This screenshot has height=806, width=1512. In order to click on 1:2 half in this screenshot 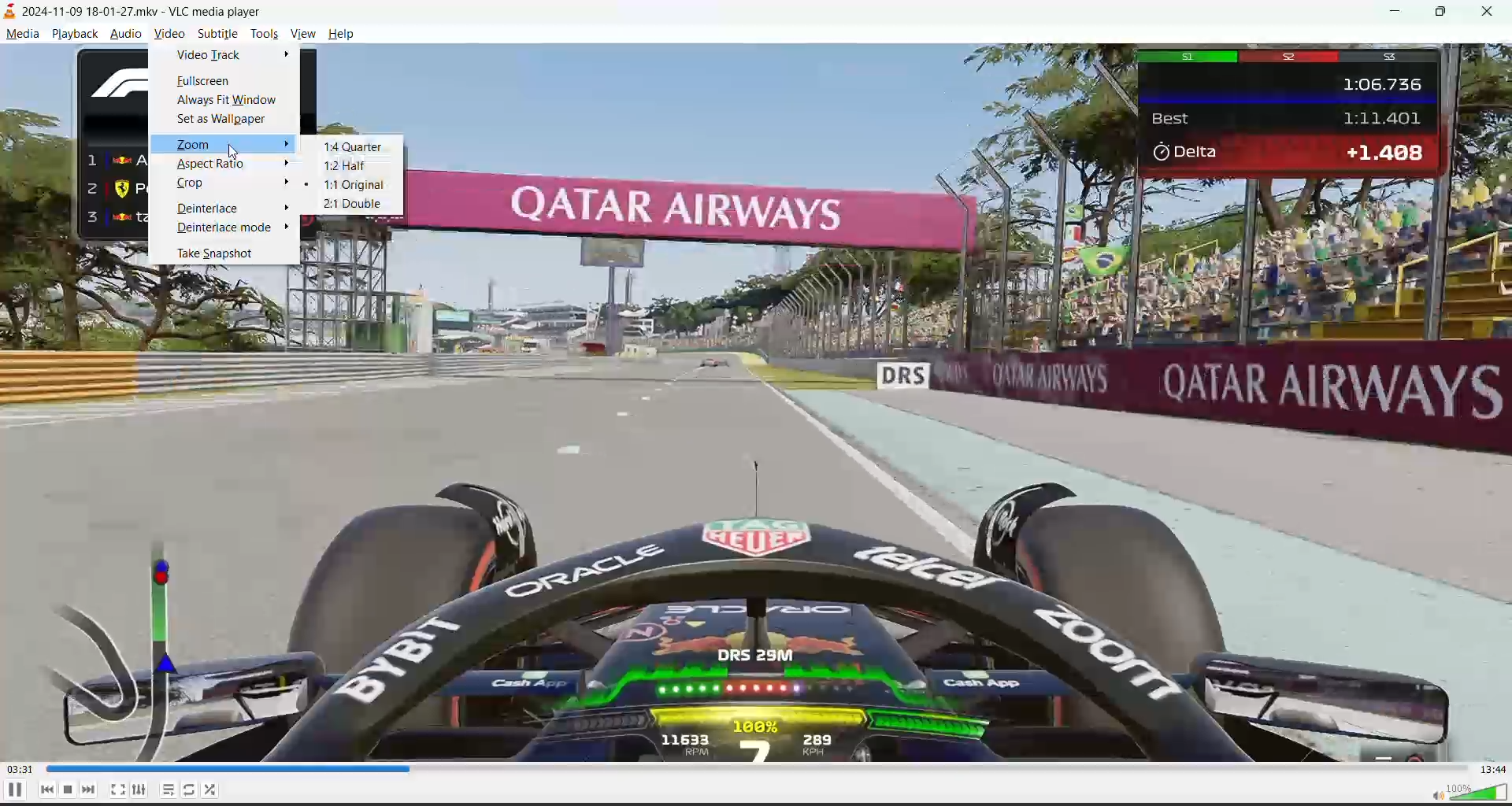, I will do `click(340, 165)`.